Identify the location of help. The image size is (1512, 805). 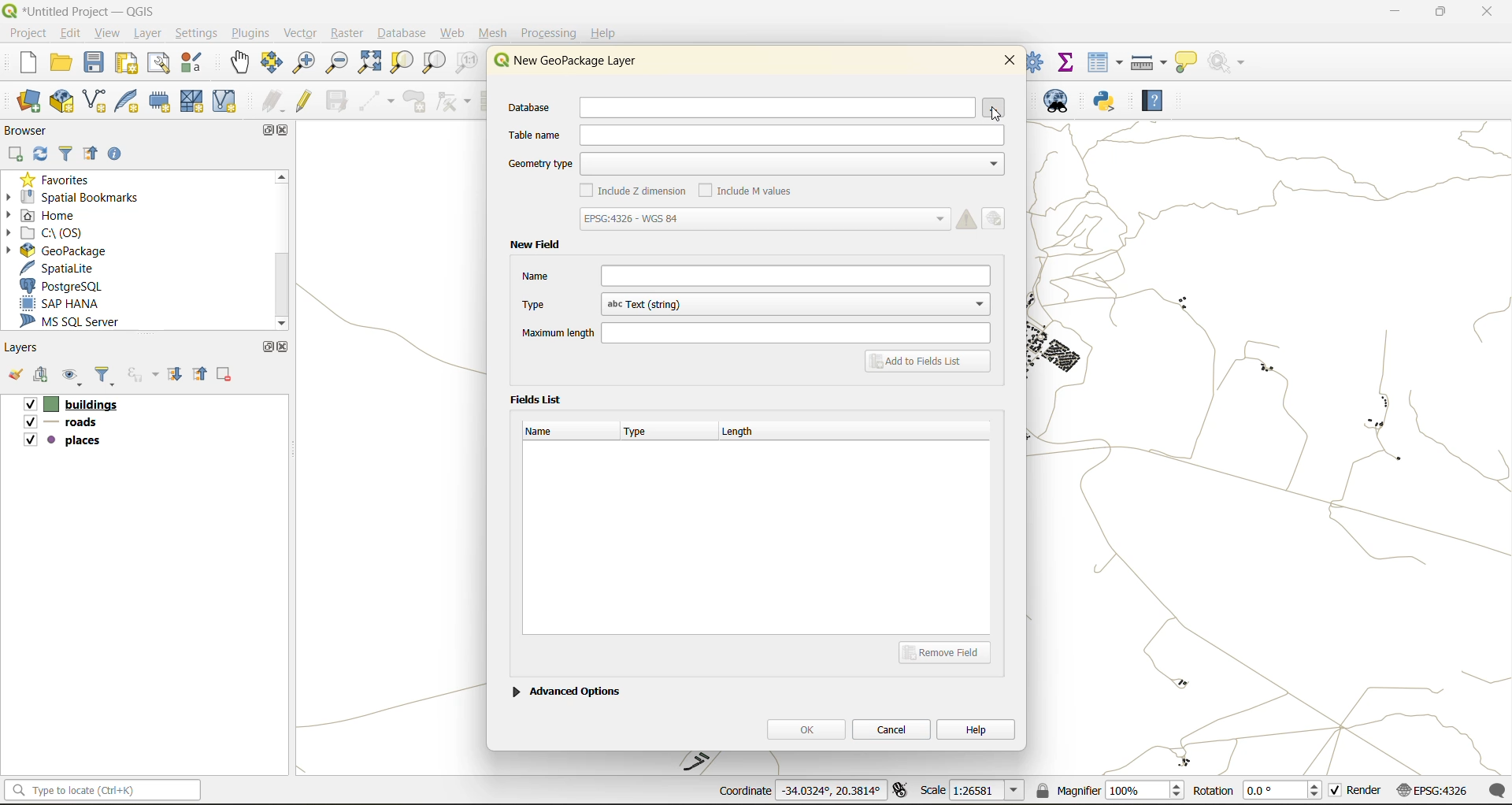
(610, 33).